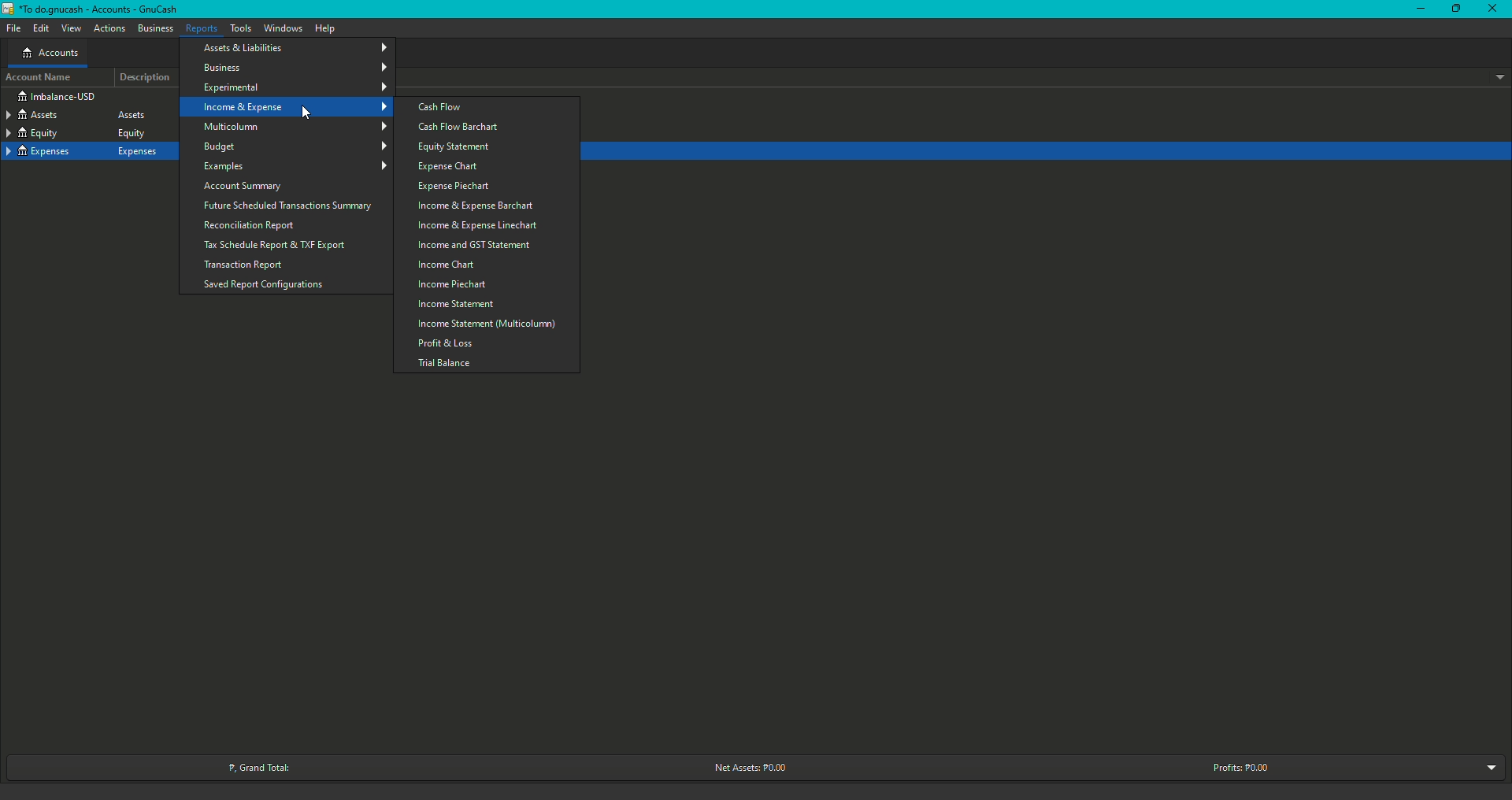 The width and height of the screenshot is (1512, 800). What do you see at coordinates (474, 245) in the screenshot?
I see `Income and GST Statement` at bounding box center [474, 245].